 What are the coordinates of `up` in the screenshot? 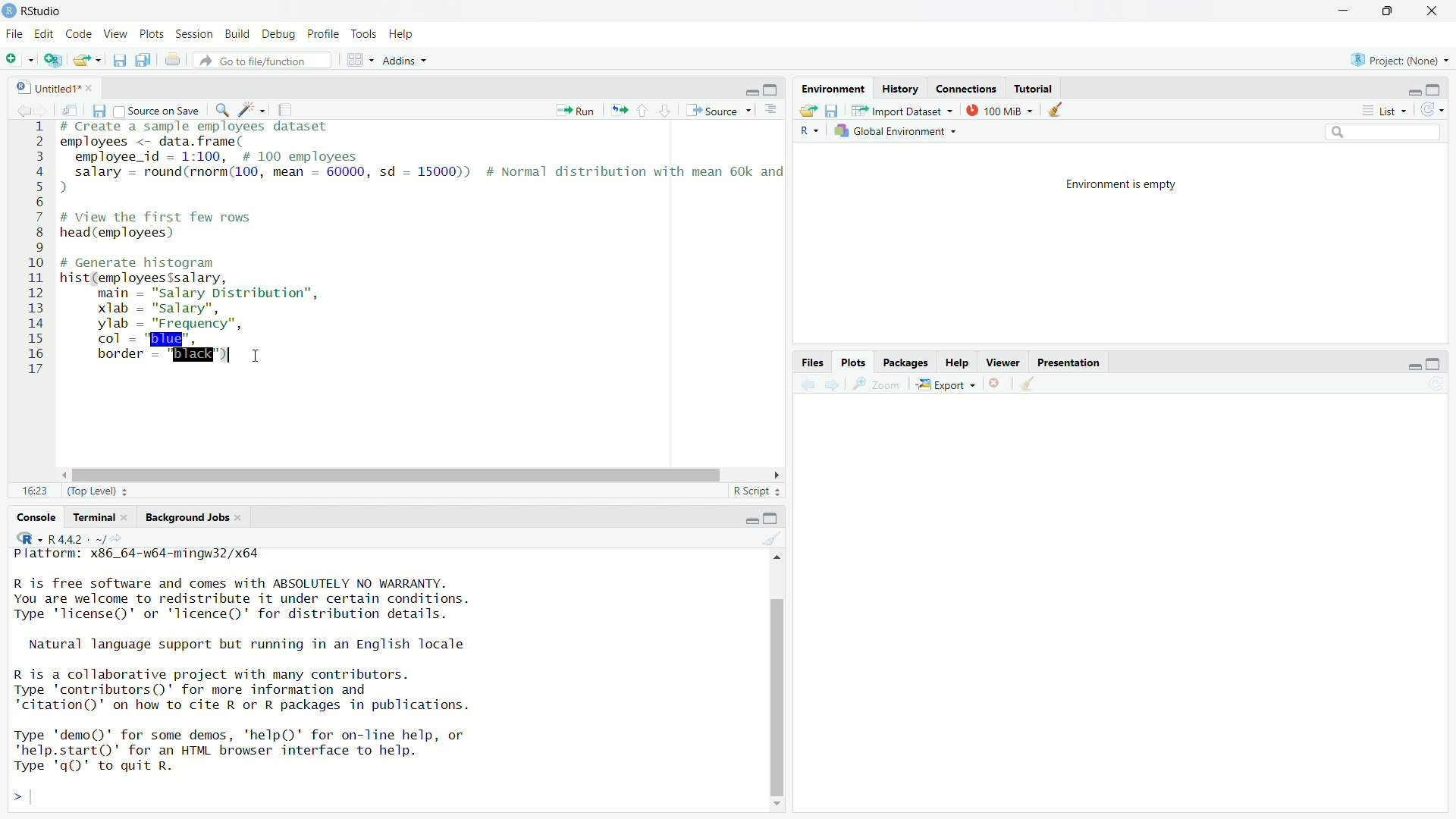 It's located at (643, 111).